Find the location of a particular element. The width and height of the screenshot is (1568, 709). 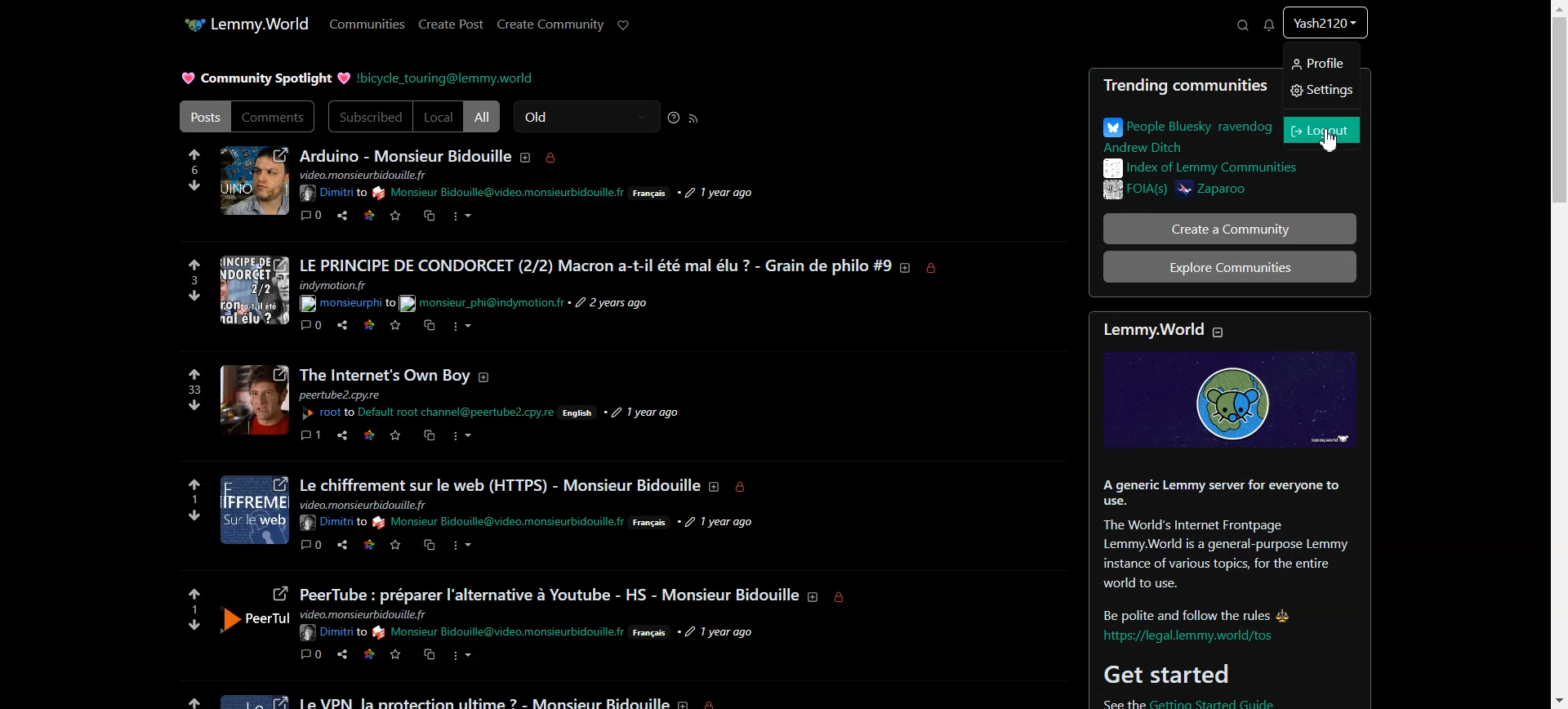

share is located at coordinates (341, 328).